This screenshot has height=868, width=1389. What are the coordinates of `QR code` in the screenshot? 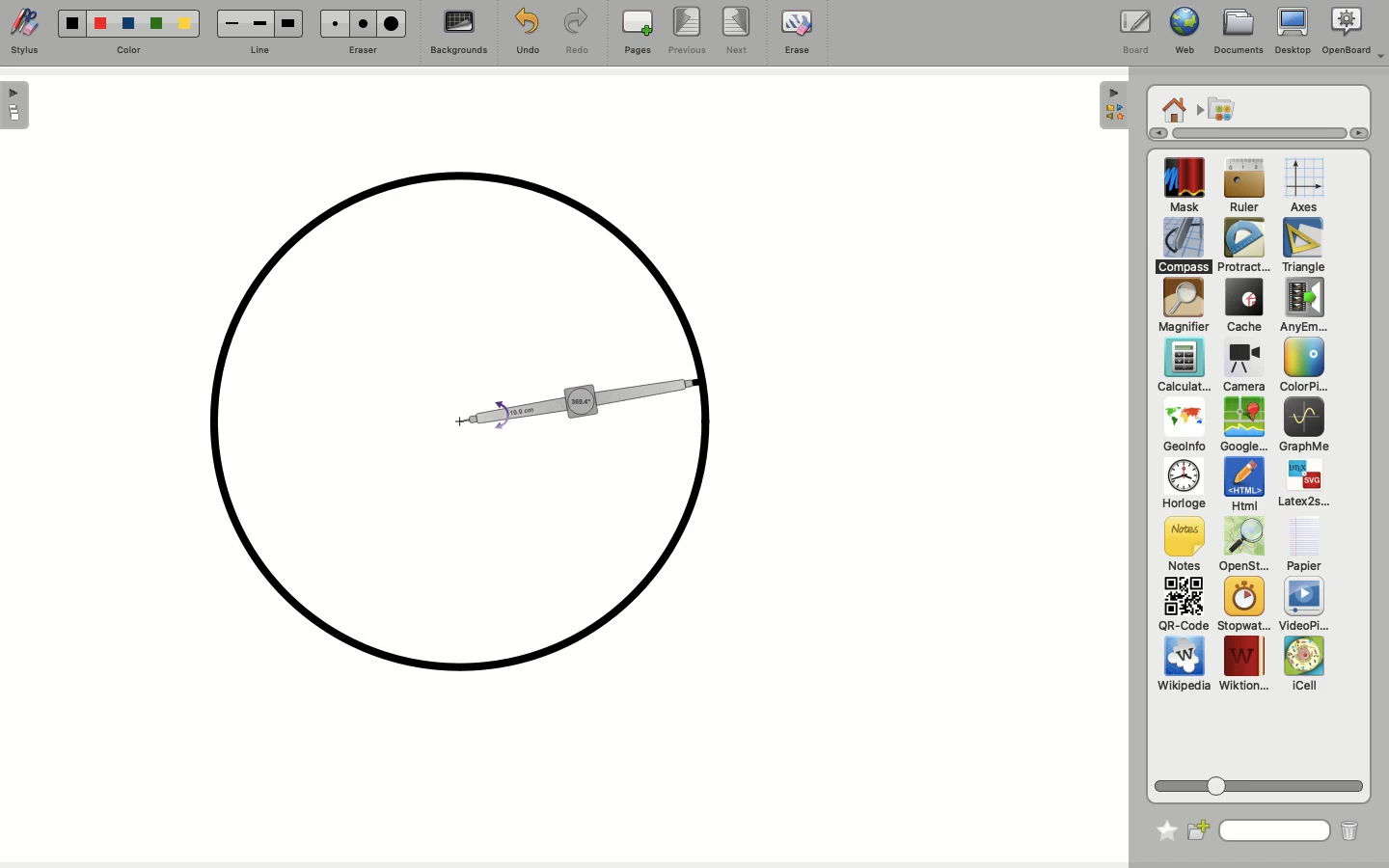 It's located at (1183, 607).